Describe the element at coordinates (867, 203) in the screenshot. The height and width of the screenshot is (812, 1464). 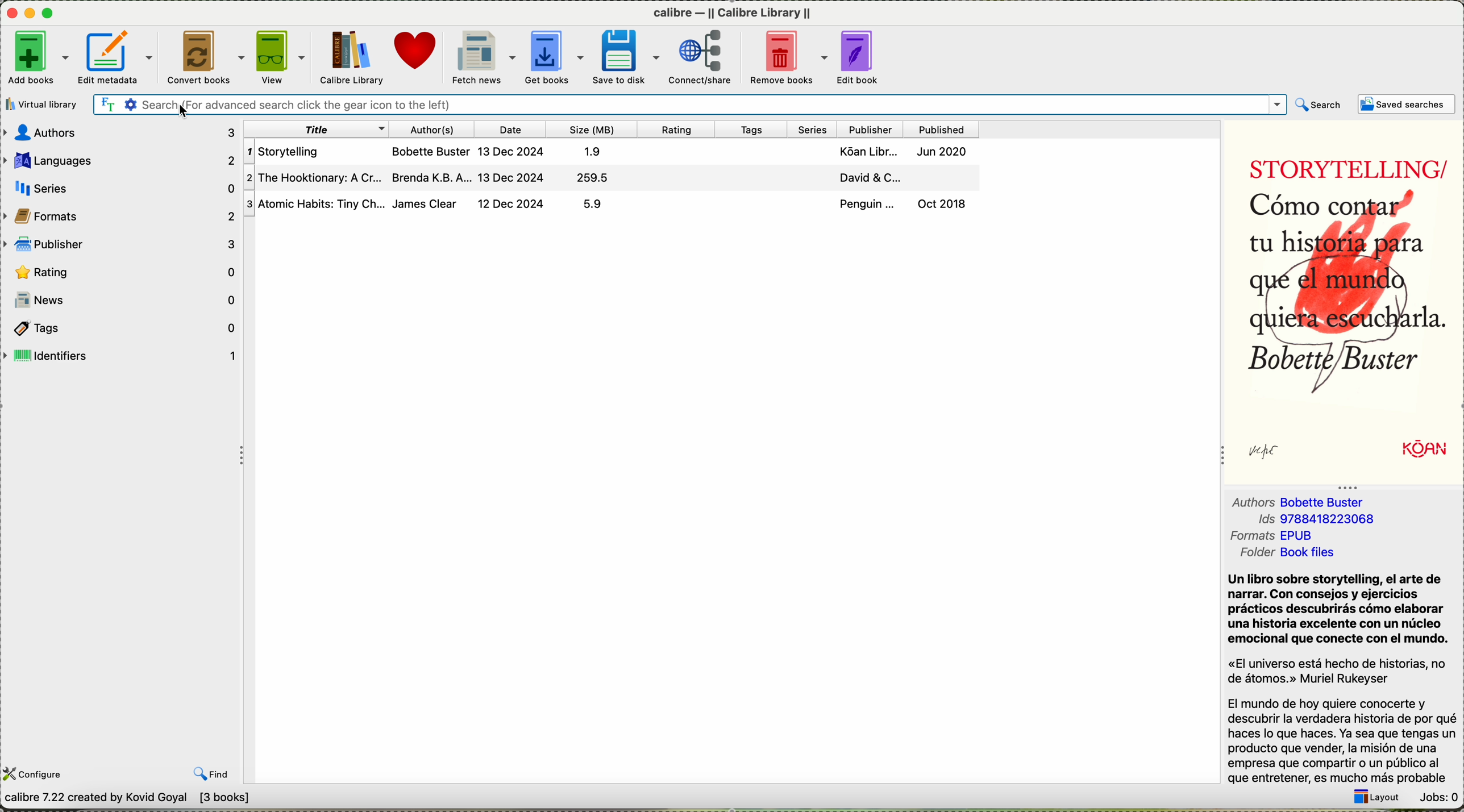
I see `Penguin` at that location.